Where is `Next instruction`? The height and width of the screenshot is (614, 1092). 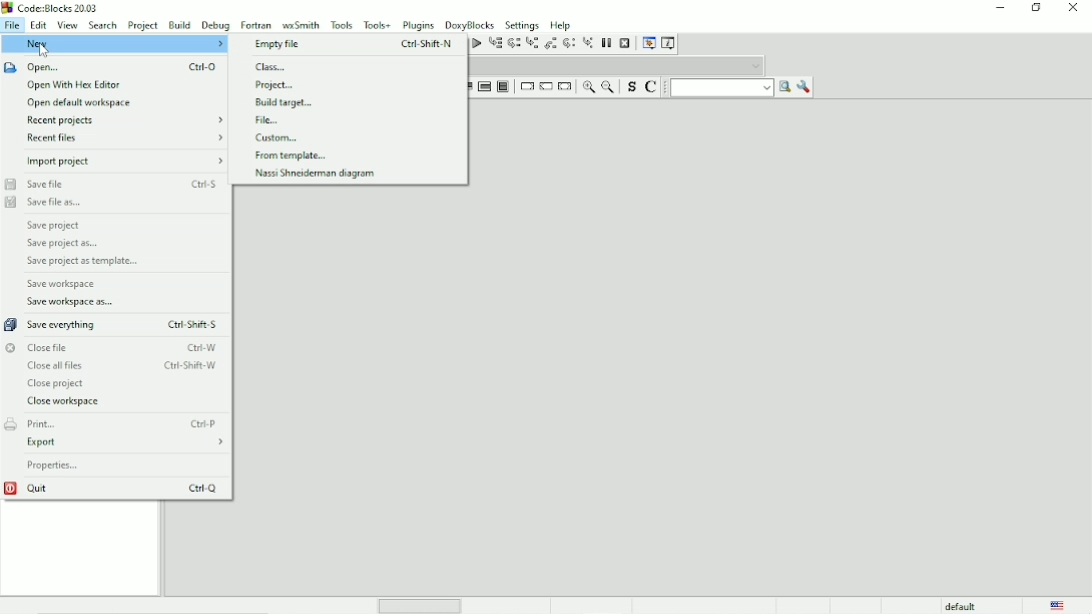
Next instruction is located at coordinates (568, 43).